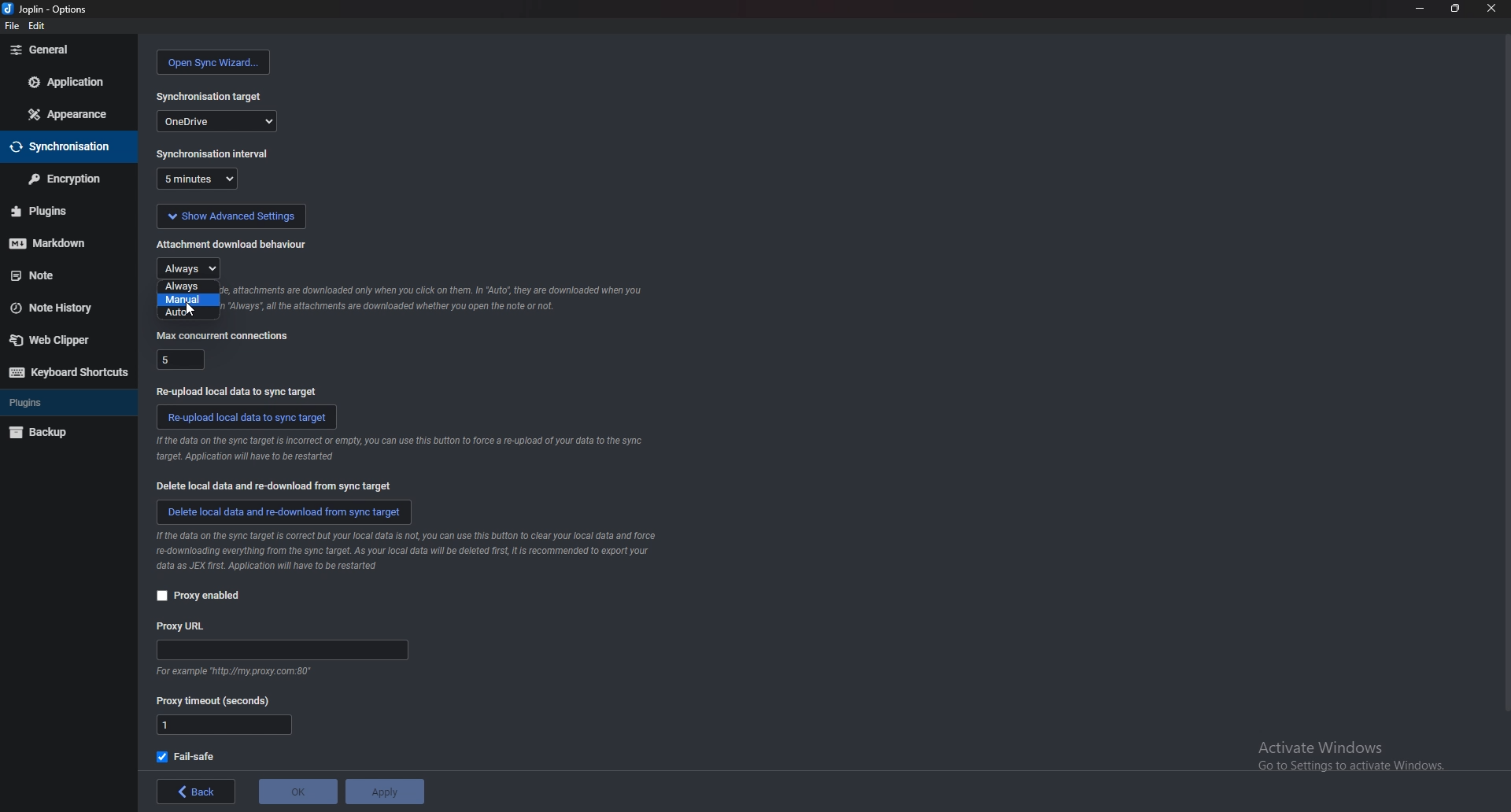 The height and width of the screenshot is (812, 1511). Describe the element at coordinates (59, 341) in the screenshot. I see `web clipper` at that location.